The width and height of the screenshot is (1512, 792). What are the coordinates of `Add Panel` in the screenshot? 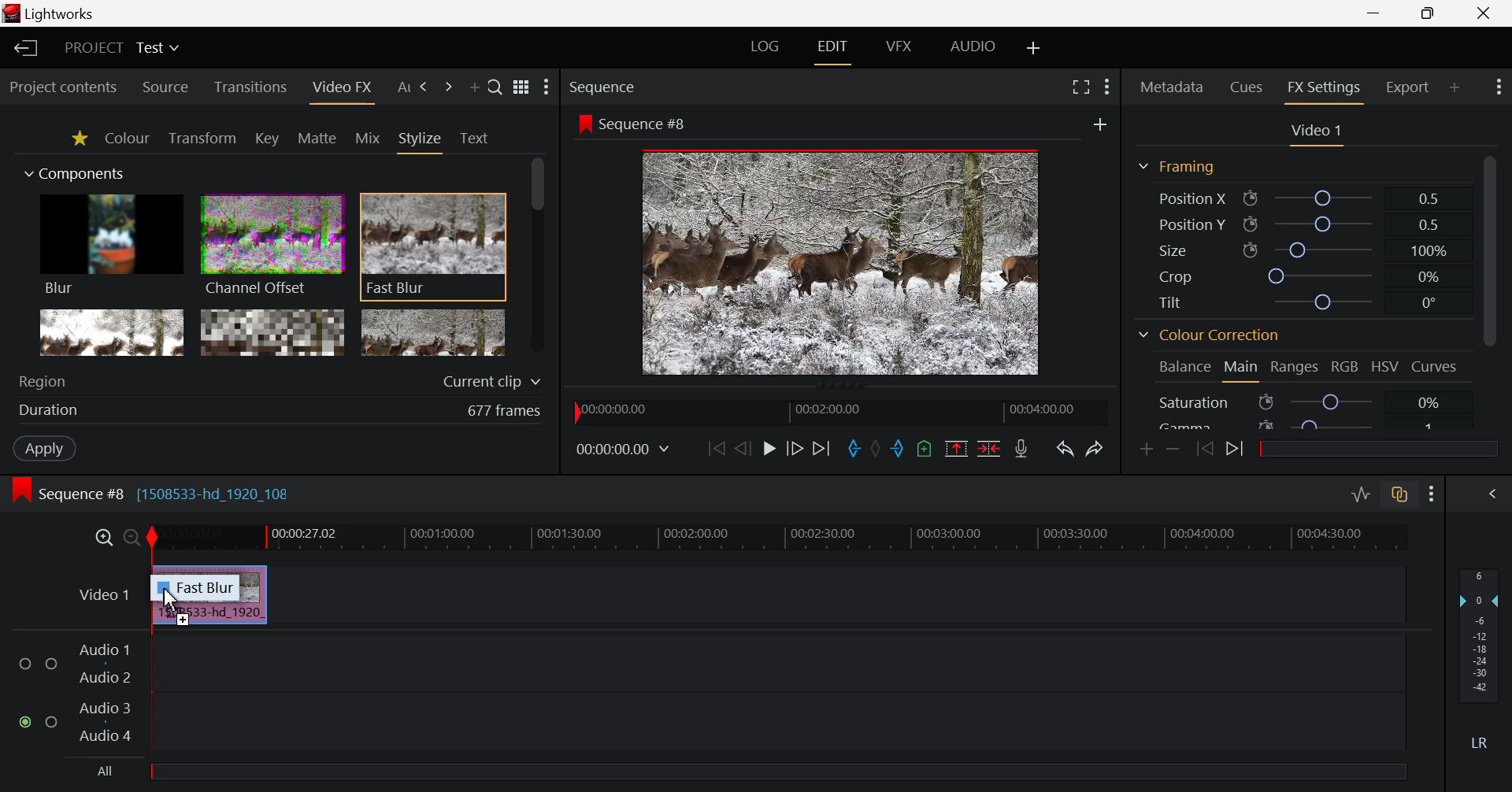 It's located at (446, 87).